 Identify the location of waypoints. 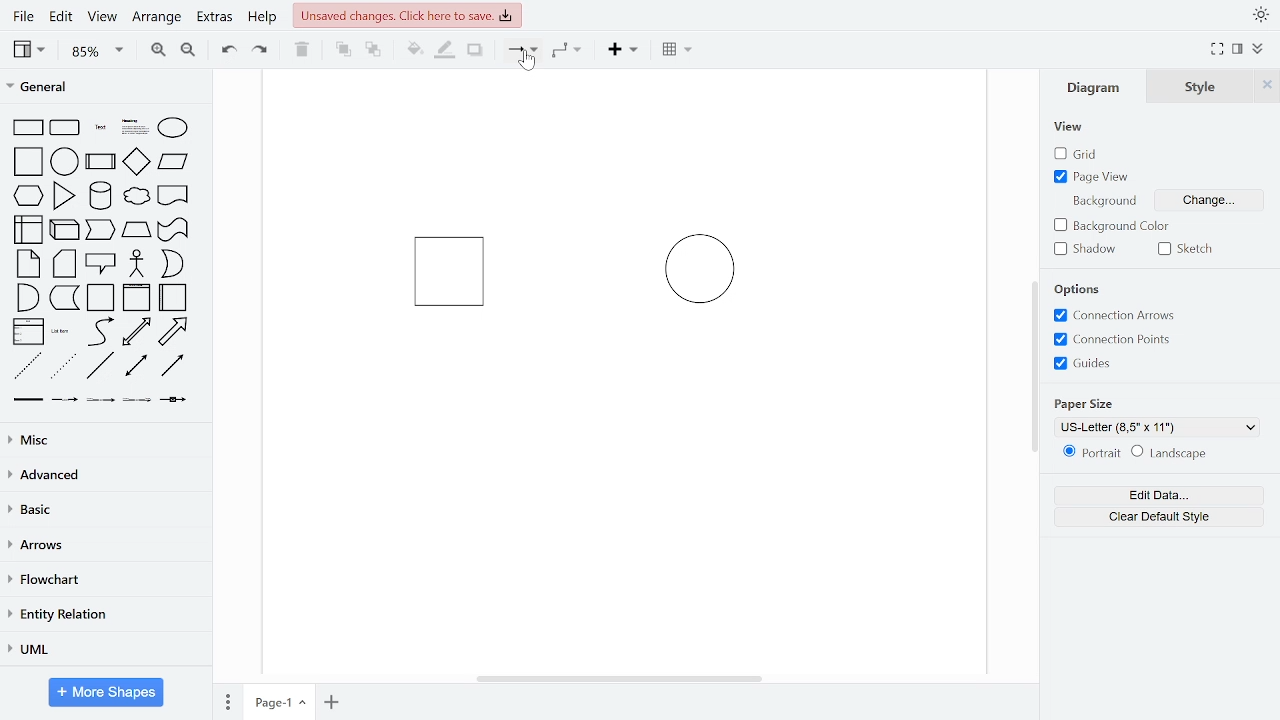
(572, 50).